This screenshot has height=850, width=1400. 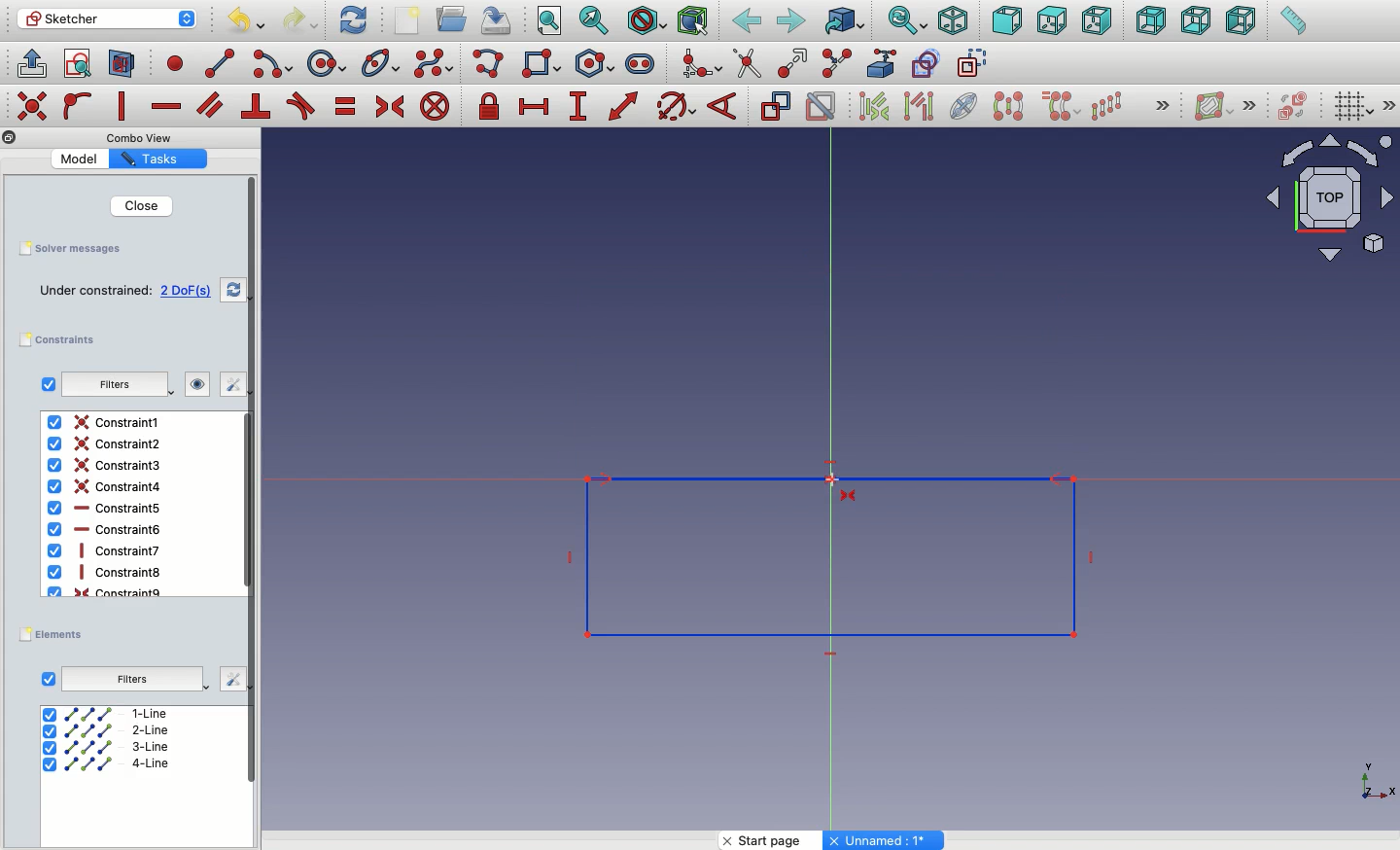 What do you see at coordinates (1215, 106) in the screenshot?
I see `Show hide B spline information layer` at bounding box center [1215, 106].